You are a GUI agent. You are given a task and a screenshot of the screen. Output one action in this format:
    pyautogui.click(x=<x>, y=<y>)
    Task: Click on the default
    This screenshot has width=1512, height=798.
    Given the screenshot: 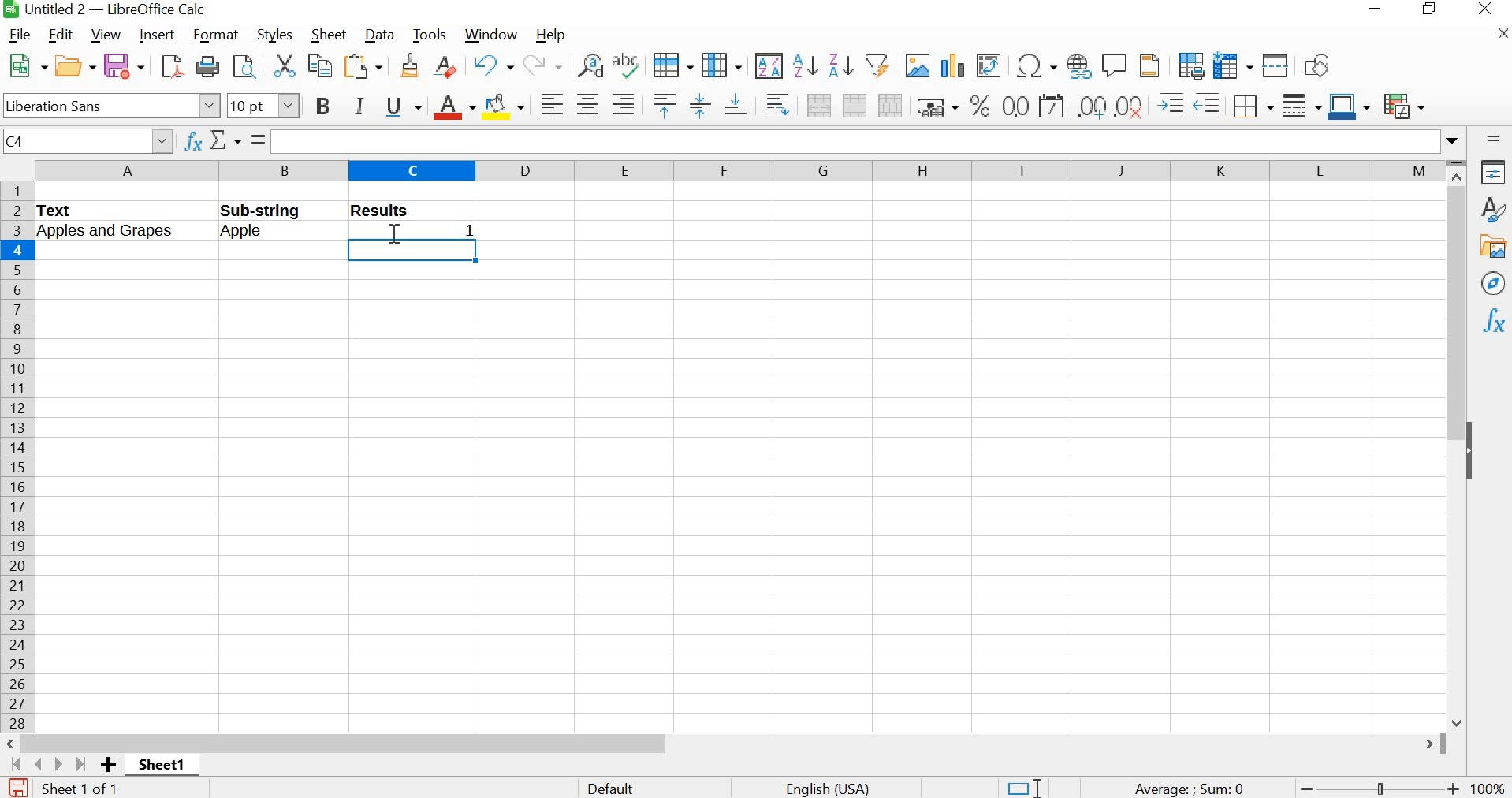 What is the action you would take?
    pyautogui.click(x=615, y=787)
    